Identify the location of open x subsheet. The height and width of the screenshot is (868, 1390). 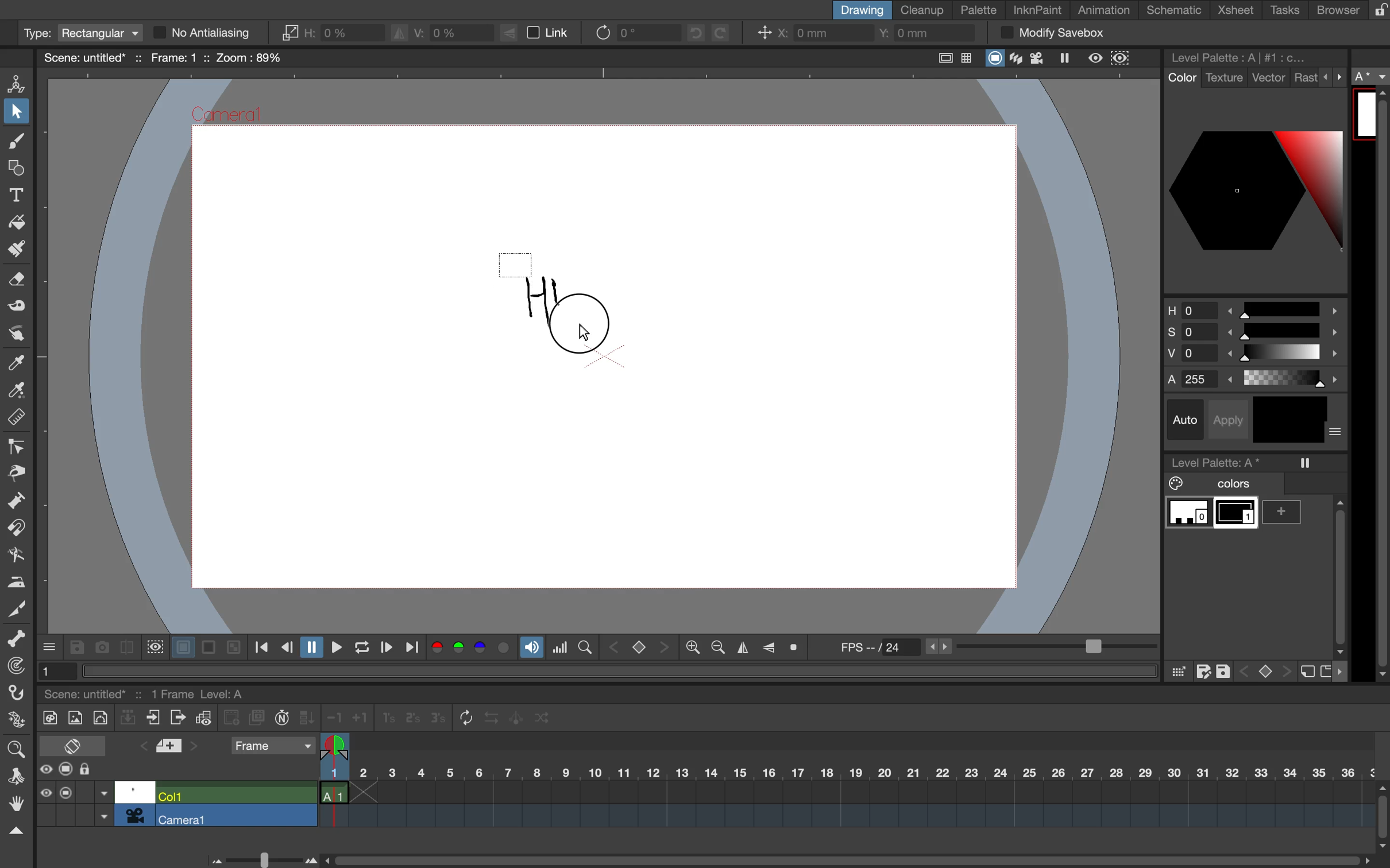
(176, 718).